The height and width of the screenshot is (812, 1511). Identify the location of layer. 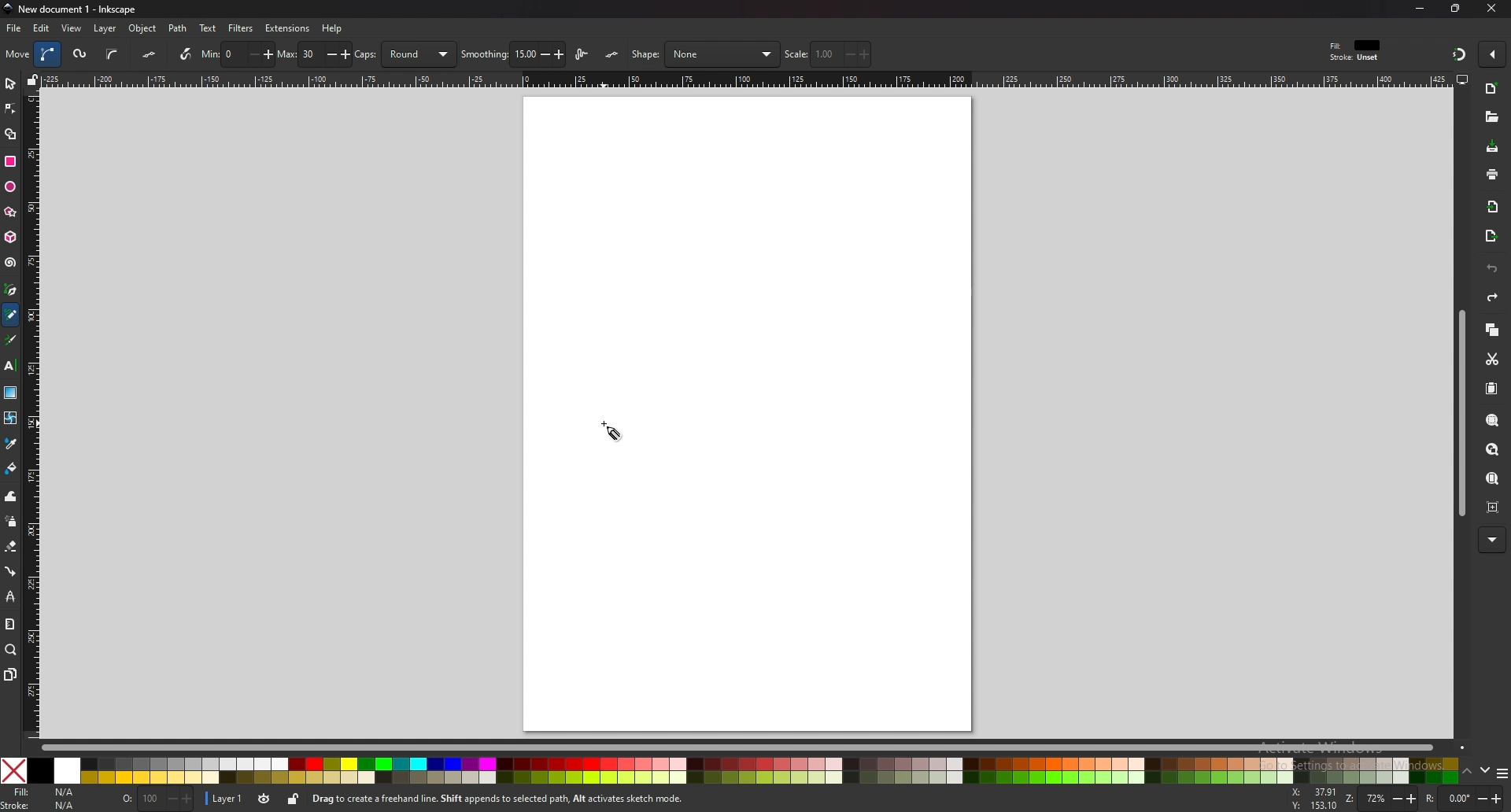
(106, 29).